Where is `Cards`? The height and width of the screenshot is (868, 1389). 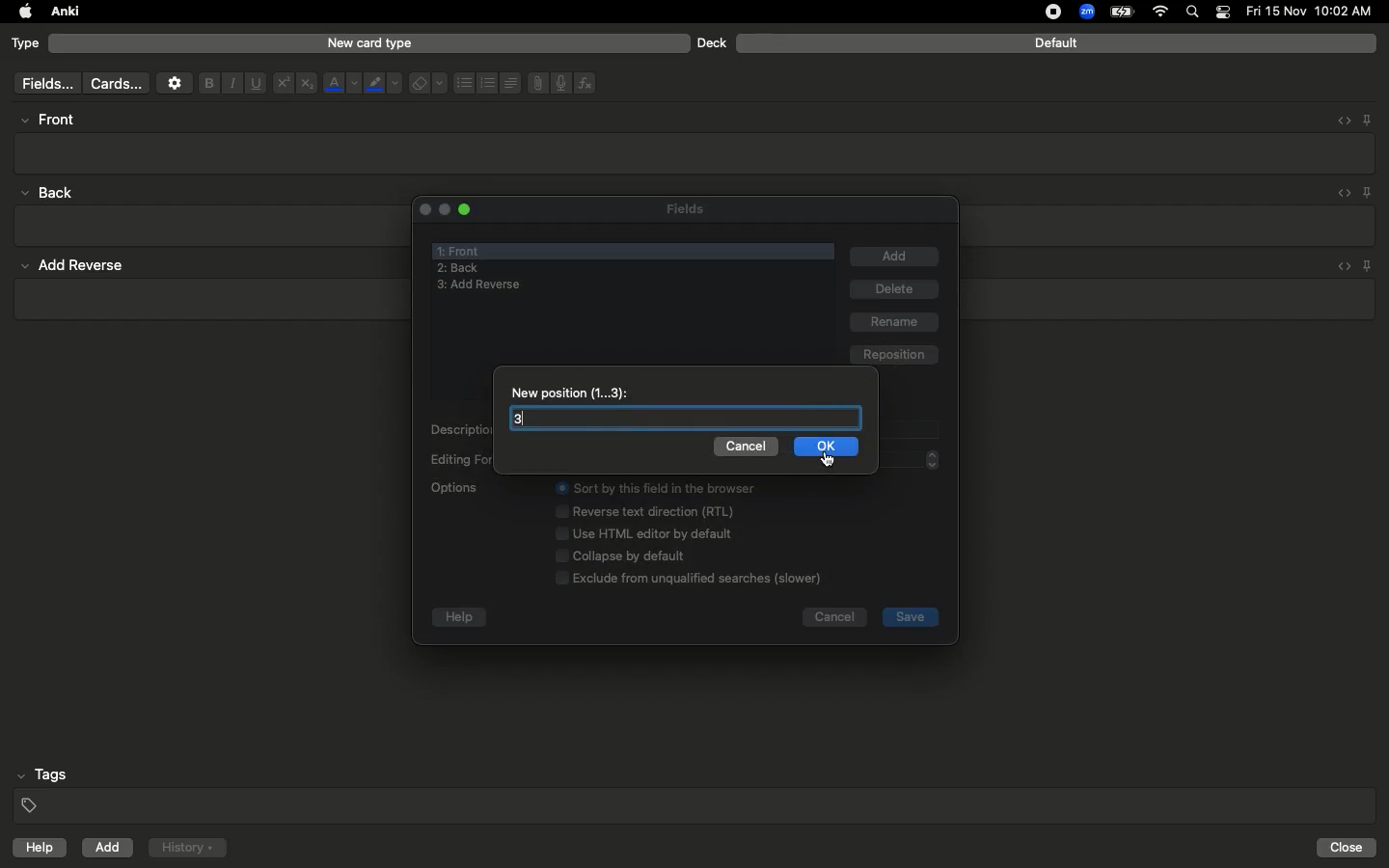 Cards is located at coordinates (116, 84).